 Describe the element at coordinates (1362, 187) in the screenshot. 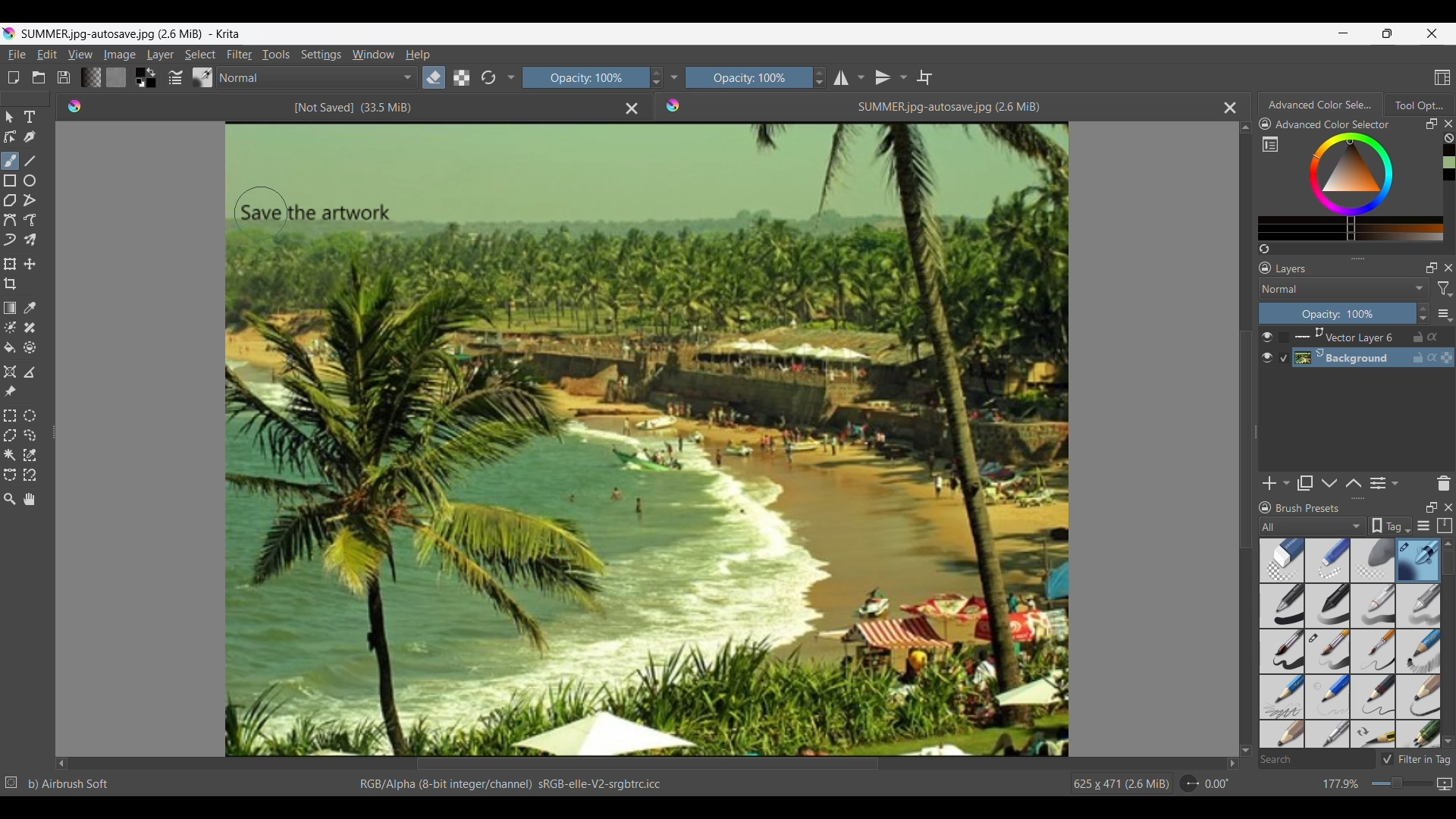

I see `Color selection range` at that location.